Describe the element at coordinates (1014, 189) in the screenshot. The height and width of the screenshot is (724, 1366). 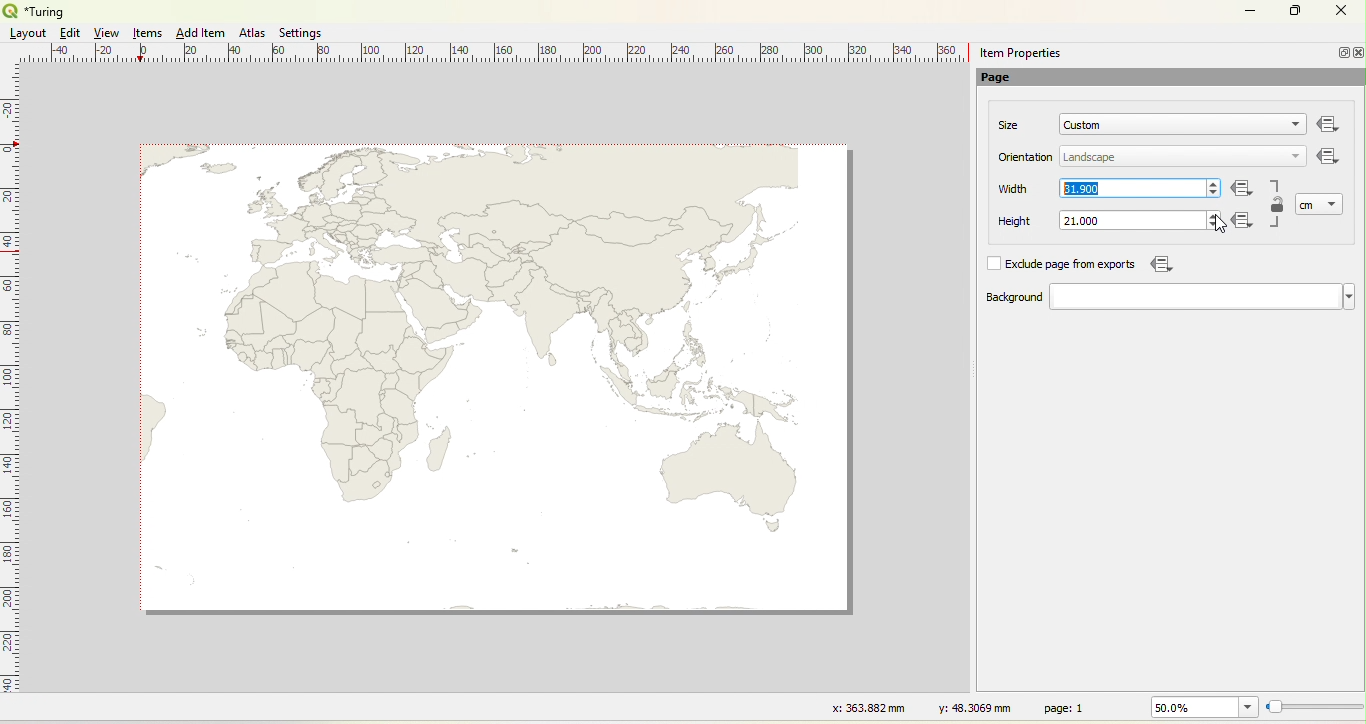
I see `Width` at that location.